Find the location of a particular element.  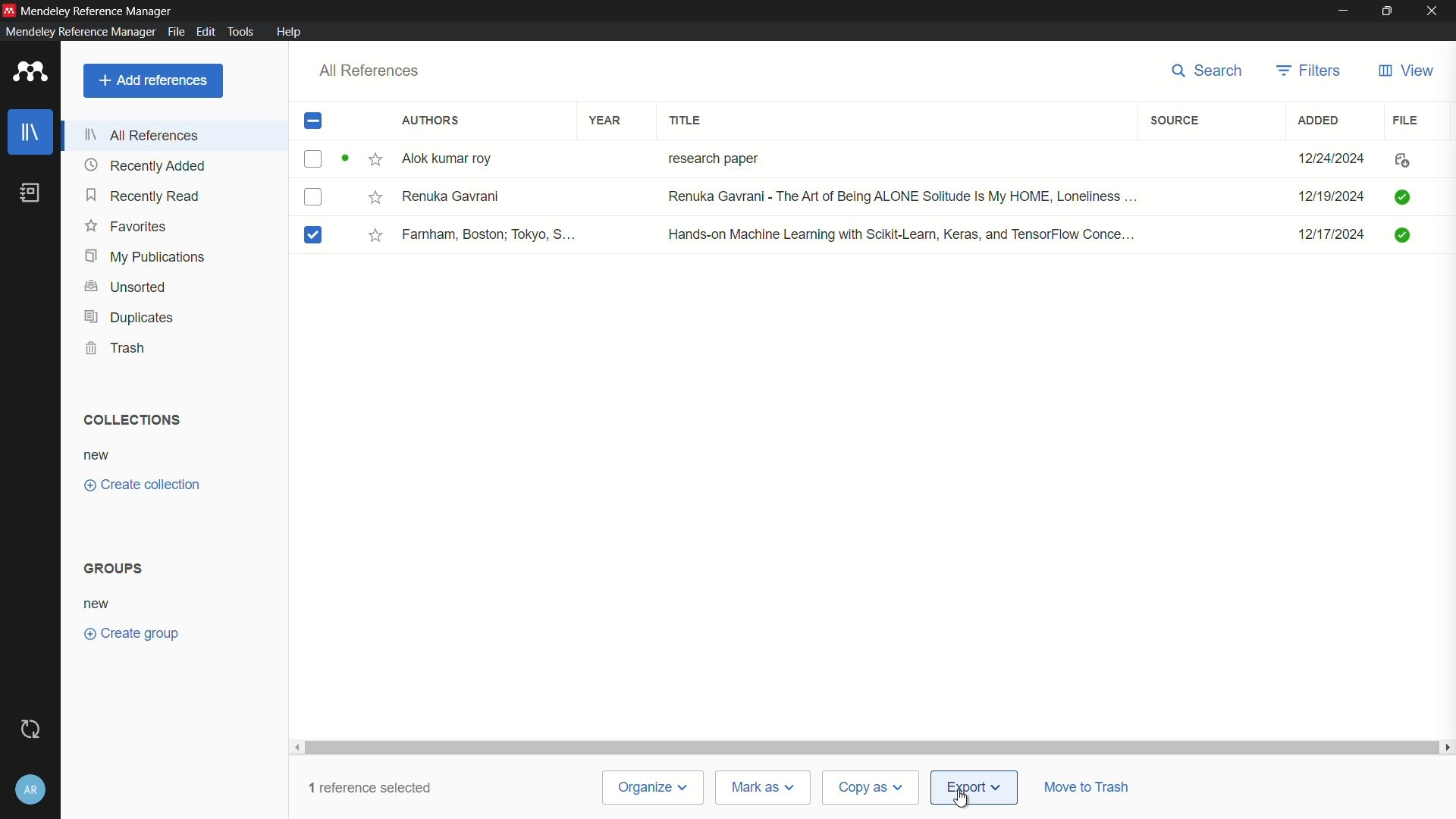

create group is located at coordinates (129, 632).